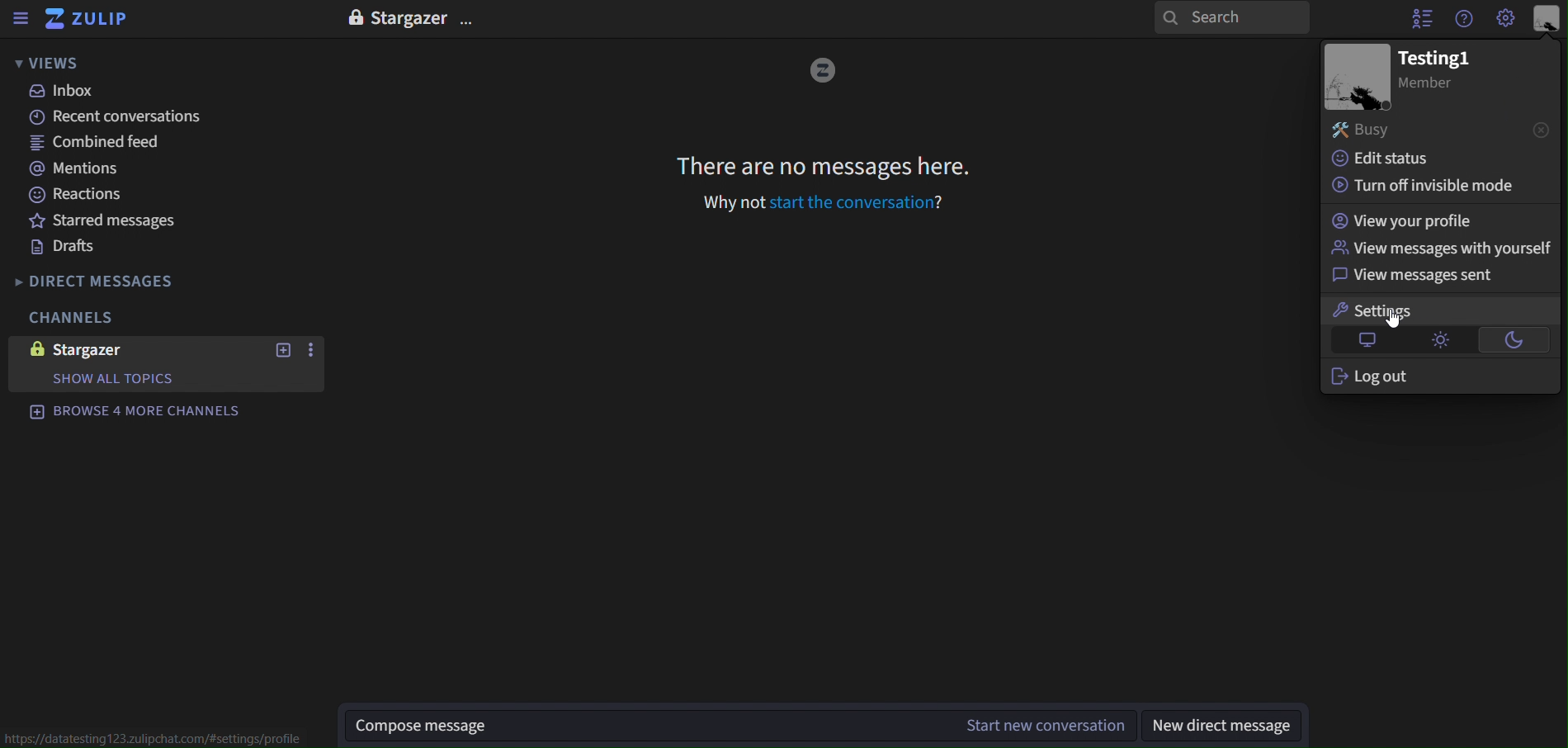  What do you see at coordinates (313, 351) in the screenshot?
I see `more options` at bounding box center [313, 351].